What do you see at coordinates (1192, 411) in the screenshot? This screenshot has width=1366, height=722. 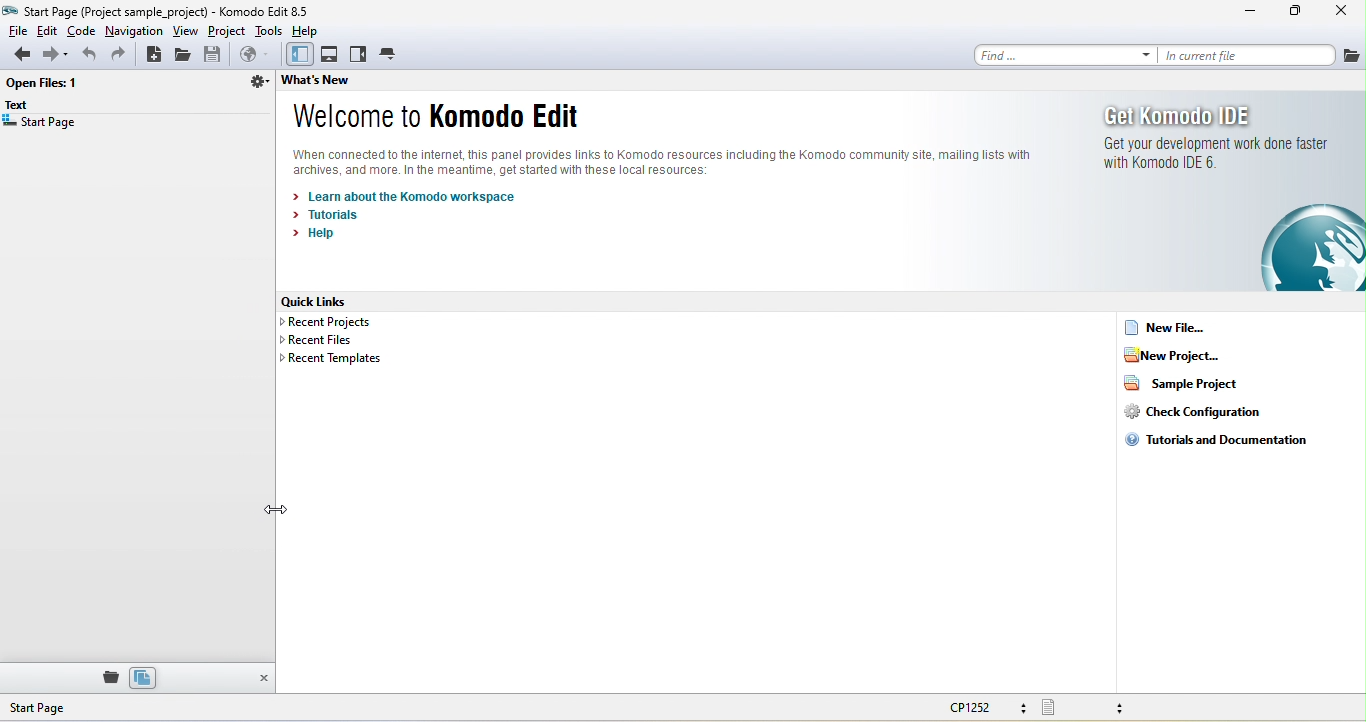 I see `check configuration` at bounding box center [1192, 411].